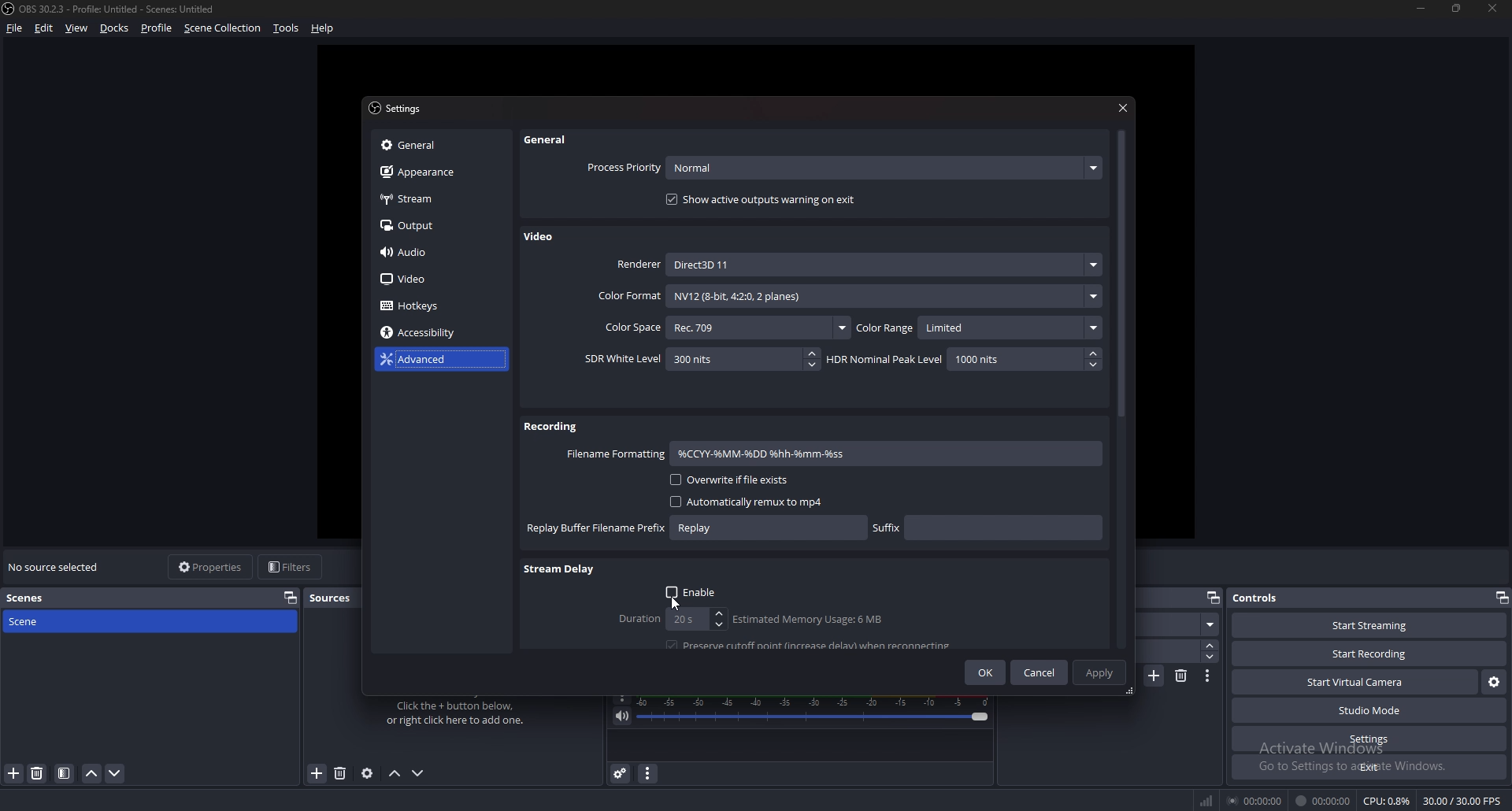  I want to click on Estimated memory usage : 6mb, so click(806, 620).